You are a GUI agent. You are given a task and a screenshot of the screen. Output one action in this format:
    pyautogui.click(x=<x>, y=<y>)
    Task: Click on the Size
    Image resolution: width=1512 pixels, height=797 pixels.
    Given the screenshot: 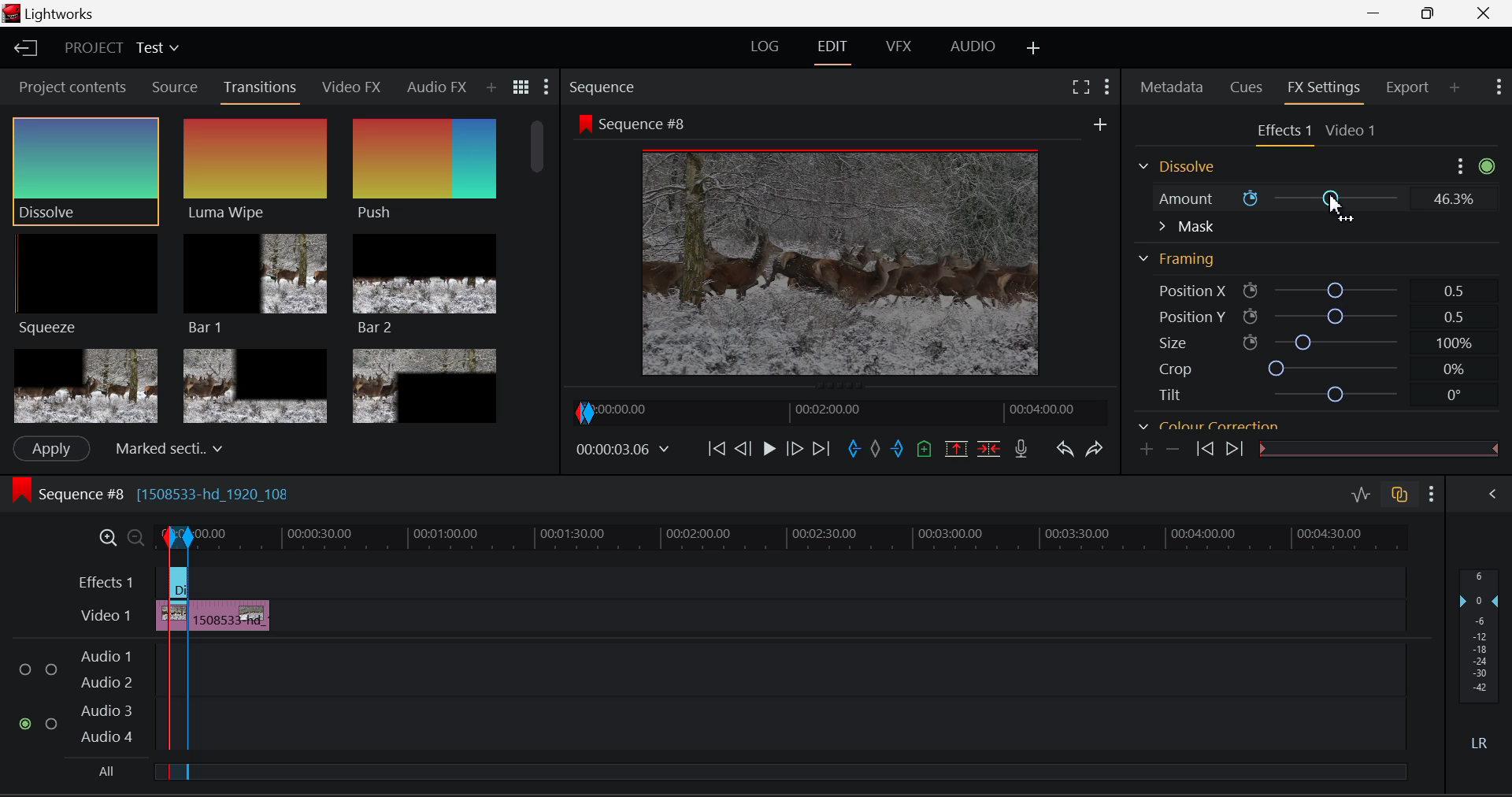 What is the action you would take?
    pyautogui.click(x=1307, y=343)
    